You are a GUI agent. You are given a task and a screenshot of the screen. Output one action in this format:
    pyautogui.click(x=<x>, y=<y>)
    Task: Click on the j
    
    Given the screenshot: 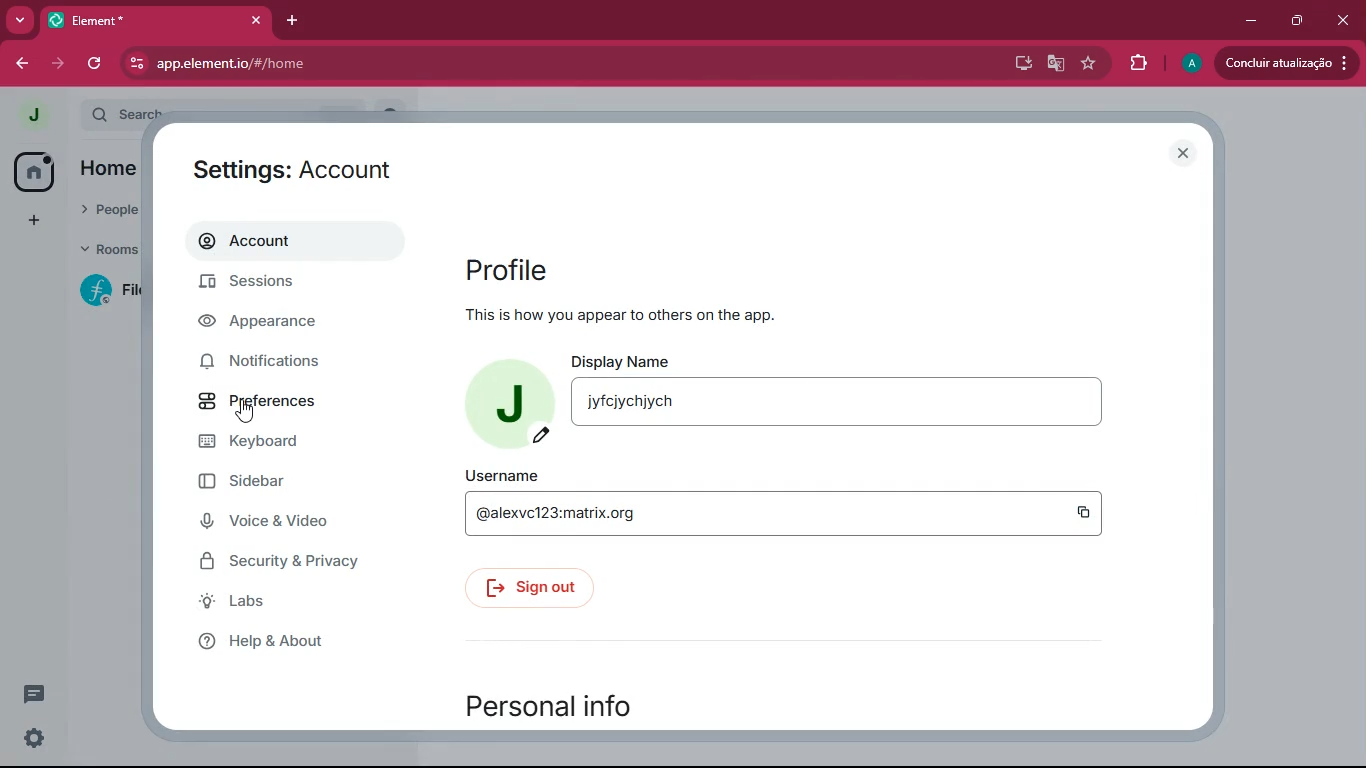 What is the action you would take?
    pyautogui.click(x=30, y=117)
    